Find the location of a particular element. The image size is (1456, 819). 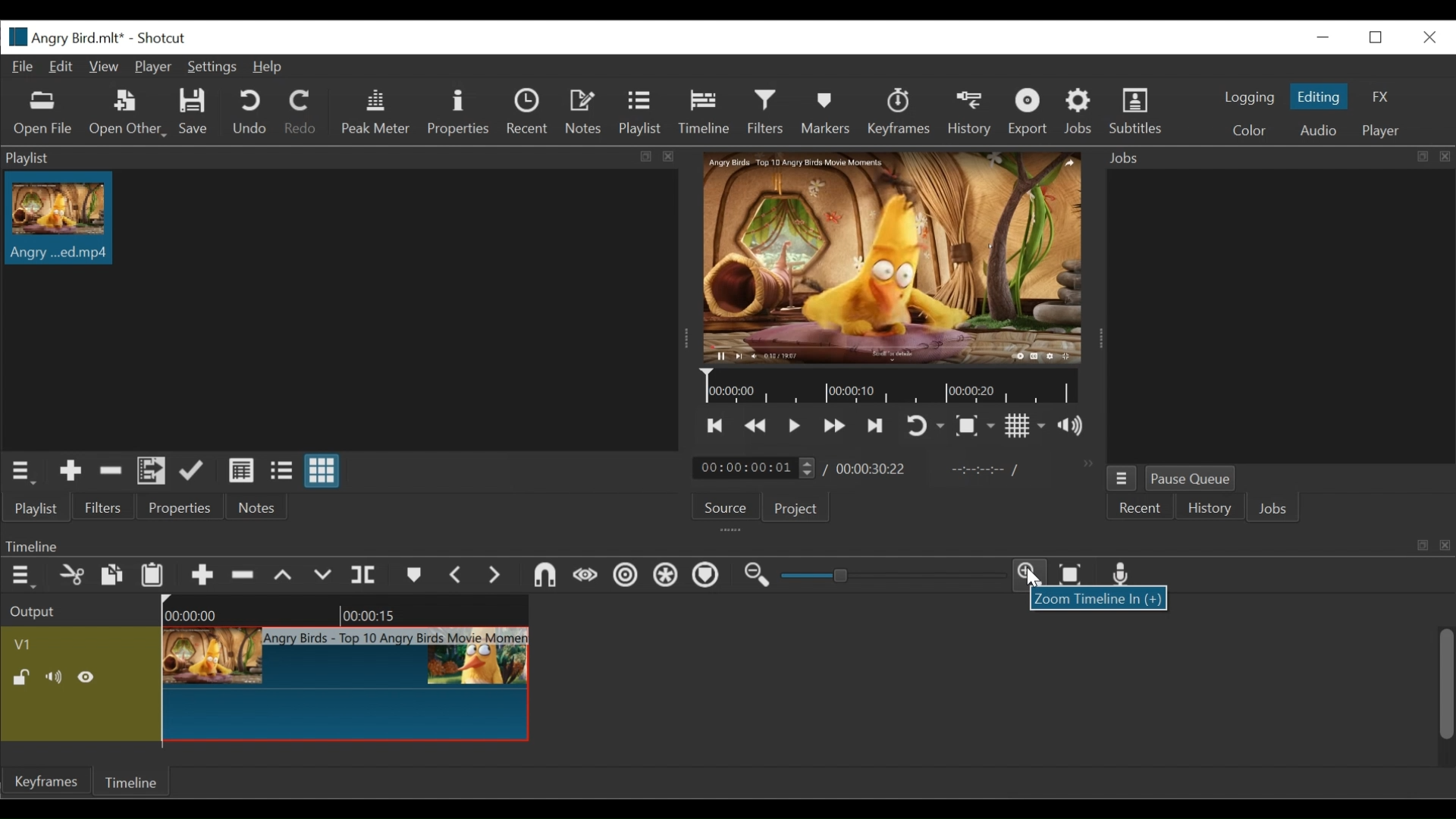

Settings is located at coordinates (213, 68).